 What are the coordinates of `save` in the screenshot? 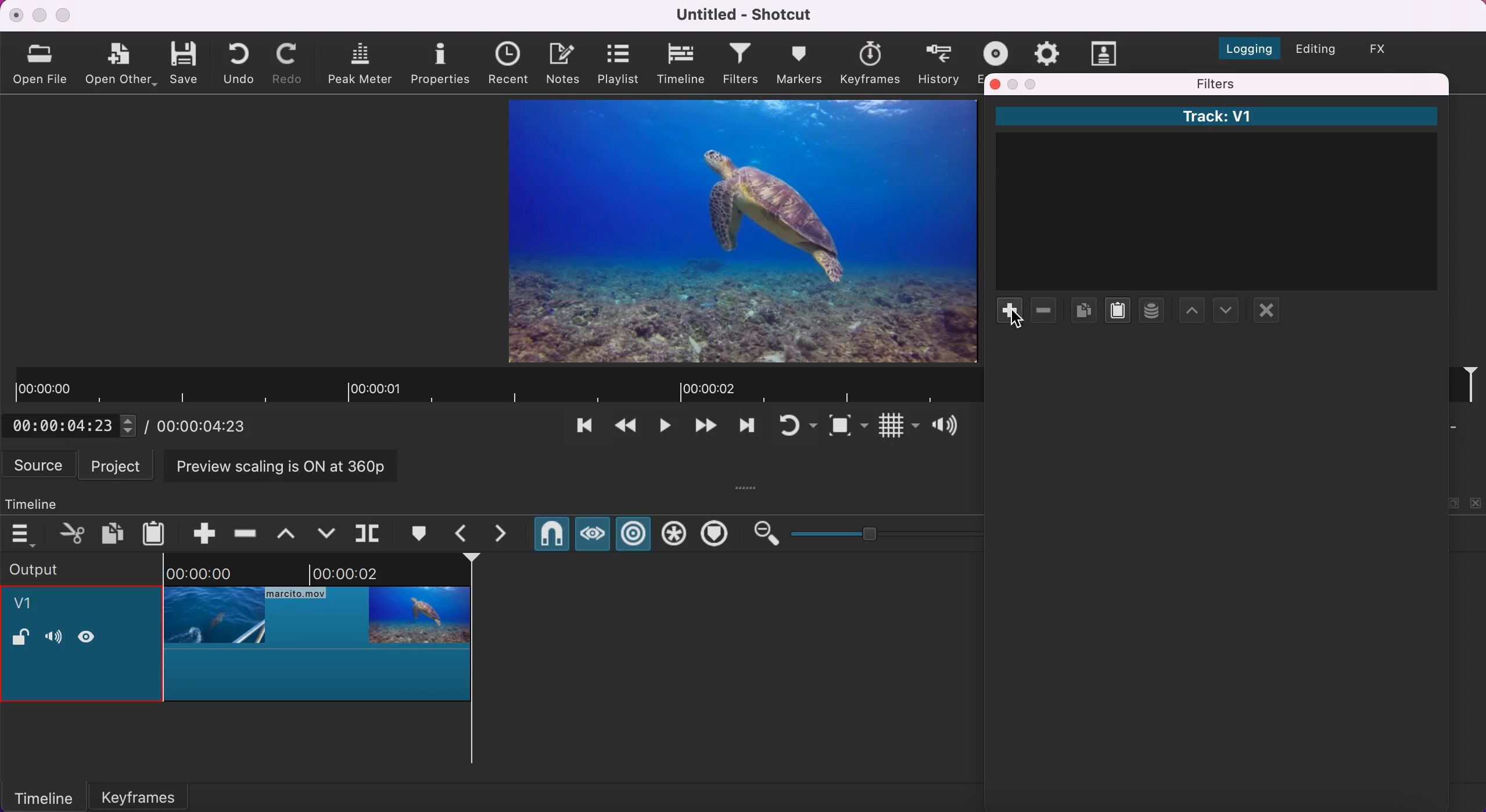 It's located at (186, 62).